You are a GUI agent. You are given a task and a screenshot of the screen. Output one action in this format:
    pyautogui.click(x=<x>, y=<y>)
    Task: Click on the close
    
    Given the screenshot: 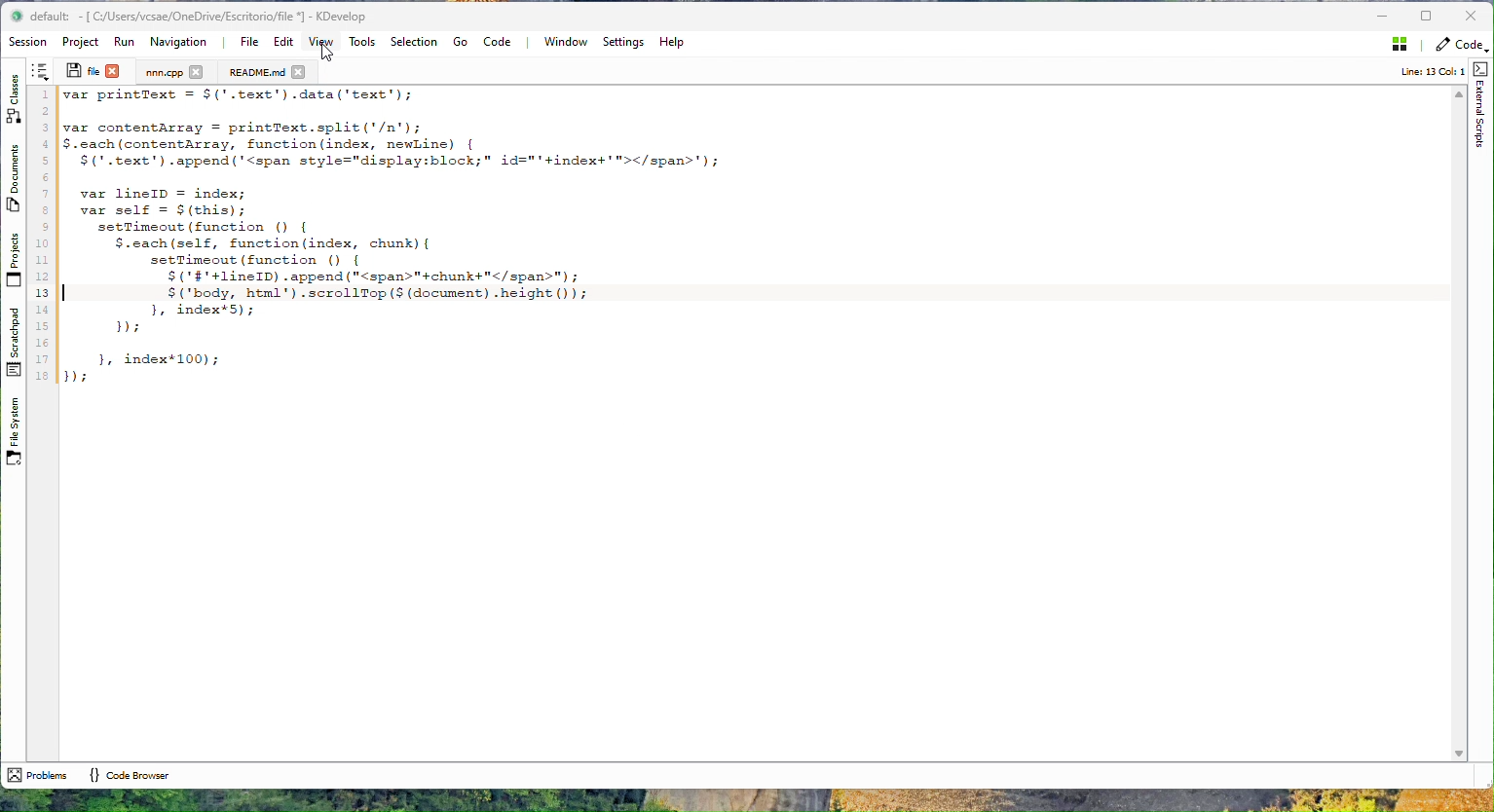 What is the action you would take?
    pyautogui.click(x=300, y=72)
    